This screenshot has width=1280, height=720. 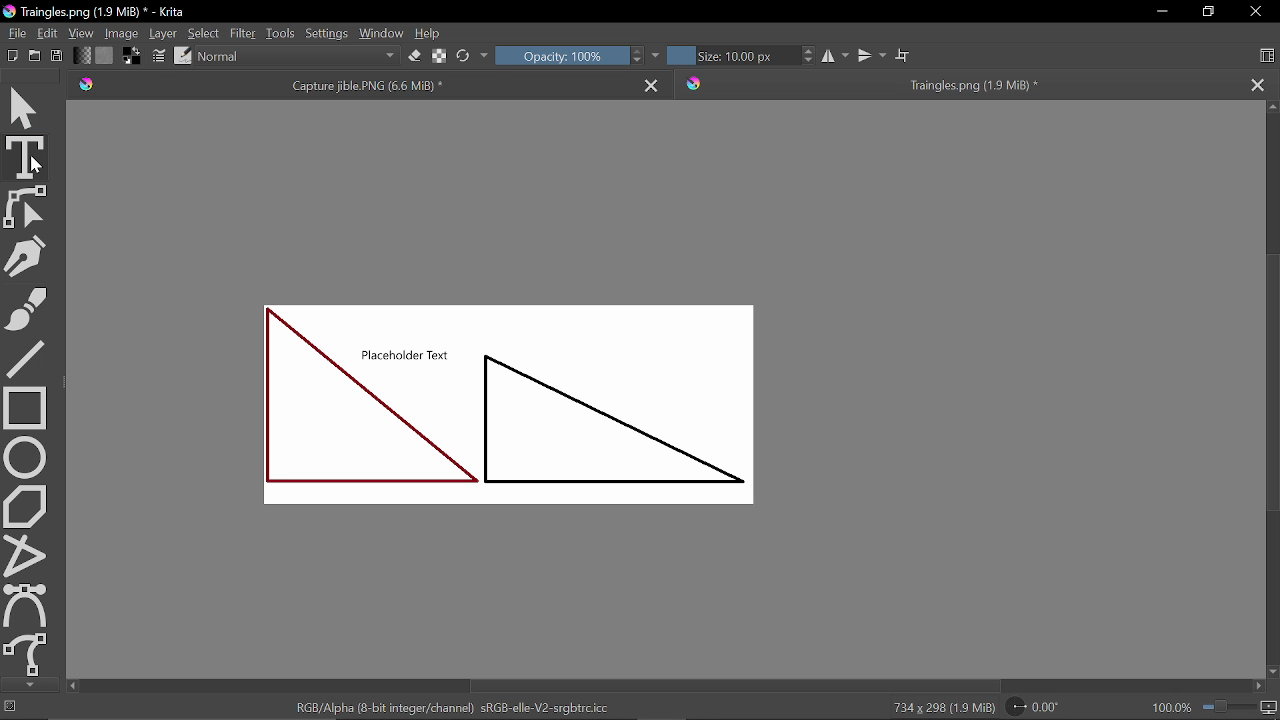 What do you see at coordinates (415, 58) in the screenshot?
I see `eraser` at bounding box center [415, 58].